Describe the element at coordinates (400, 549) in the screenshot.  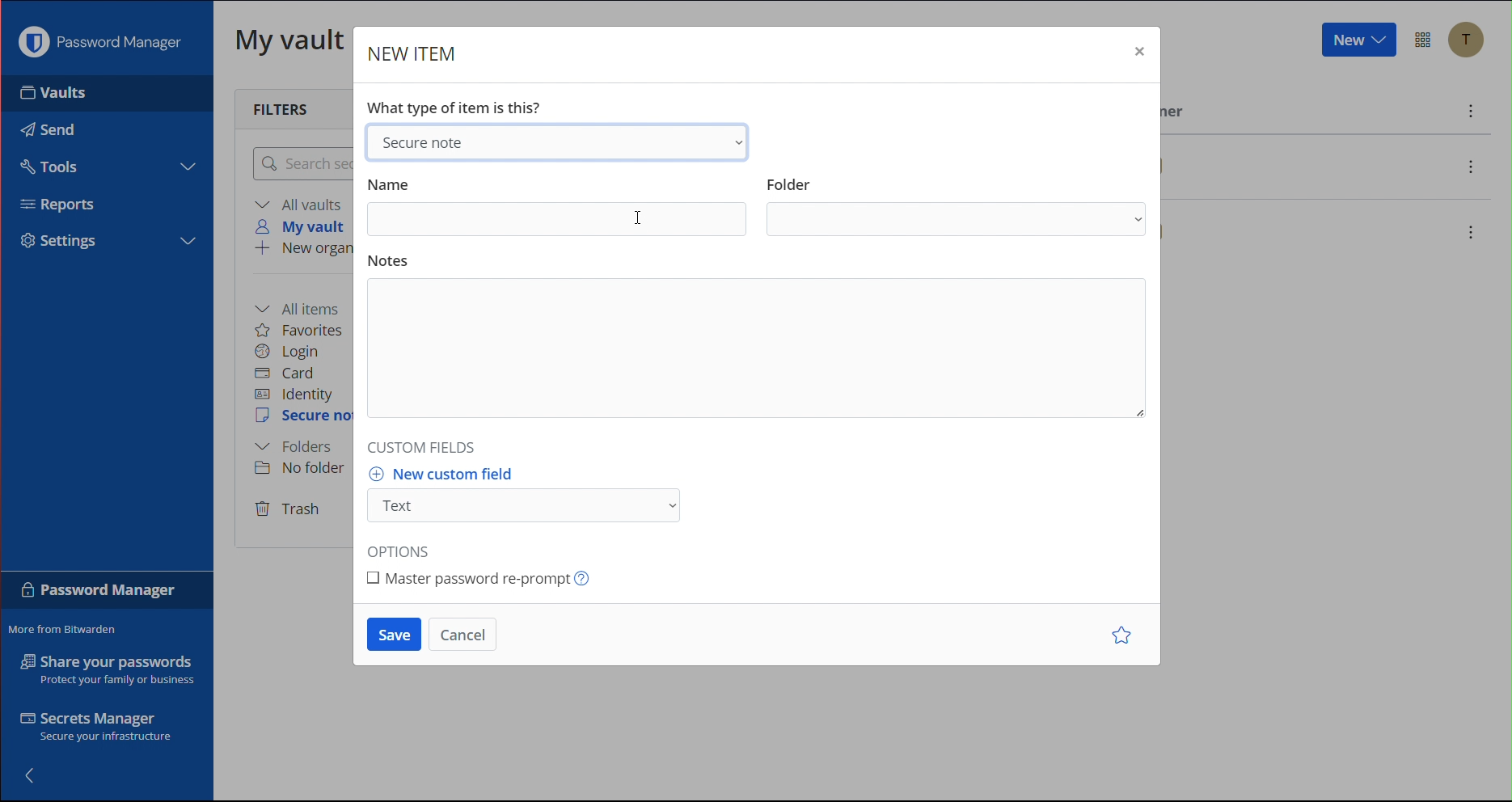
I see `Options` at that location.